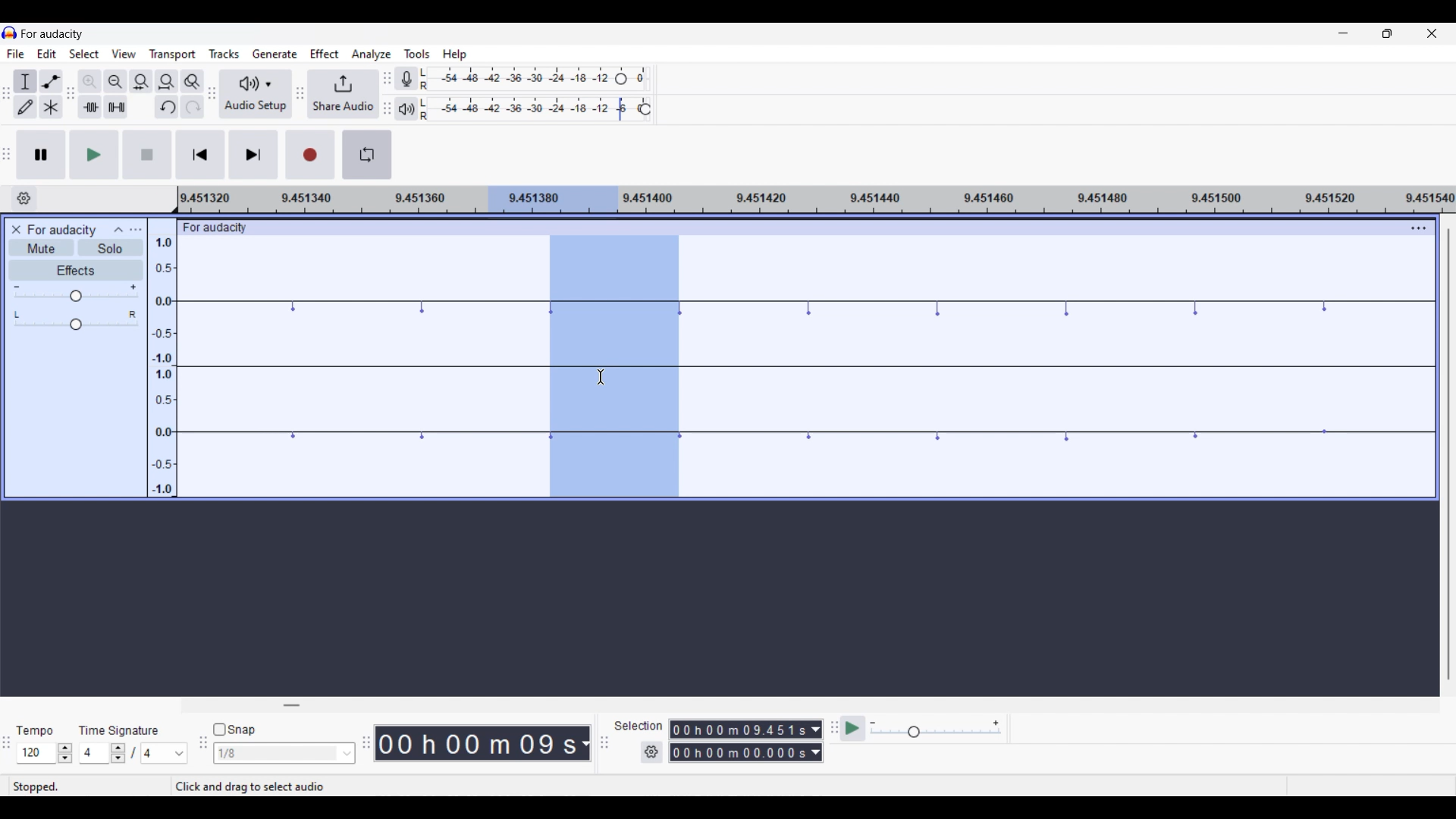 The image size is (1456, 819). Describe the element at coordinates (738, 742) in the screenshot. I see `Selection duration` at that location.